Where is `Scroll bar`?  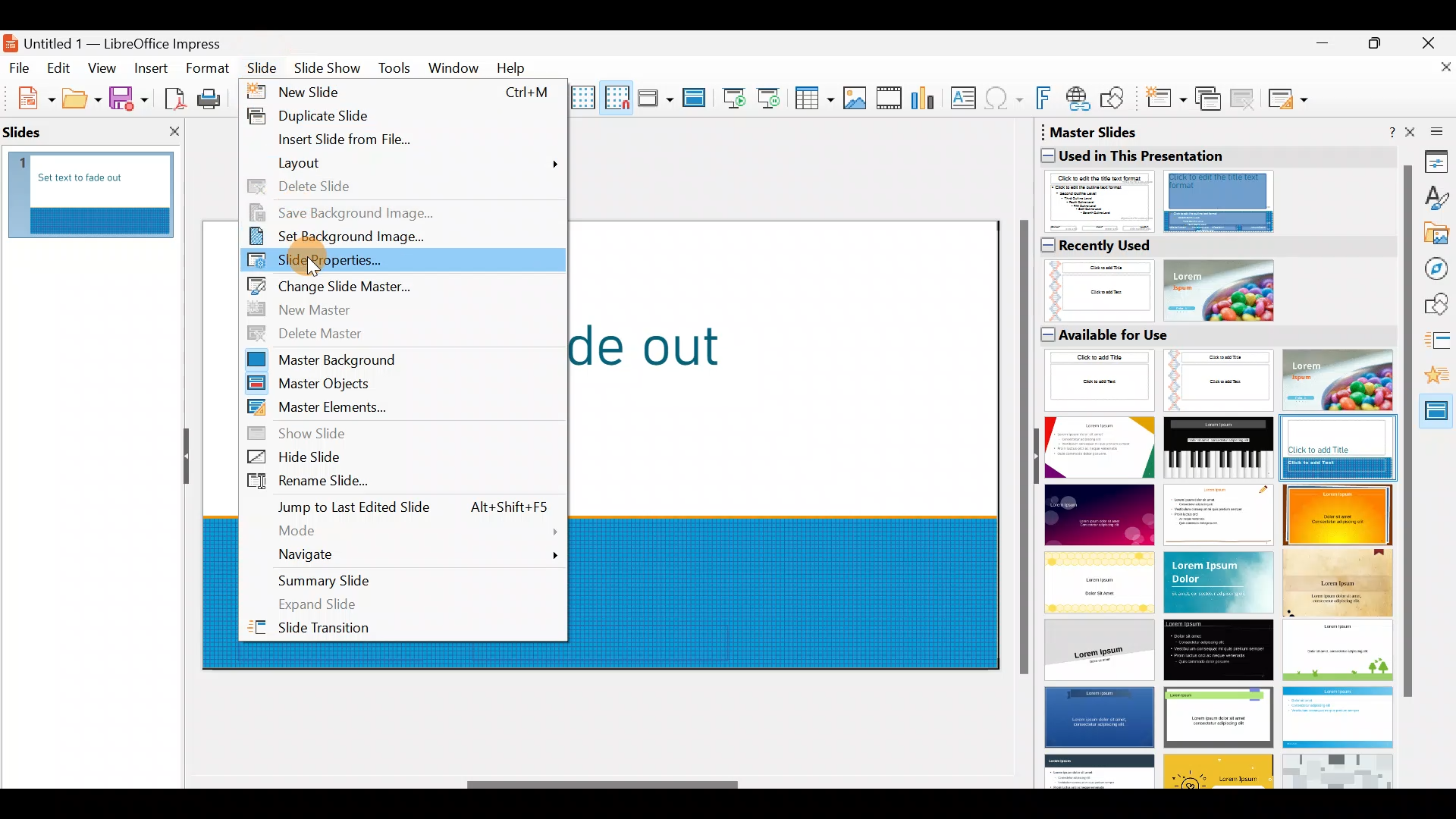
Scroll bar is located at coordinates (1021, 449).